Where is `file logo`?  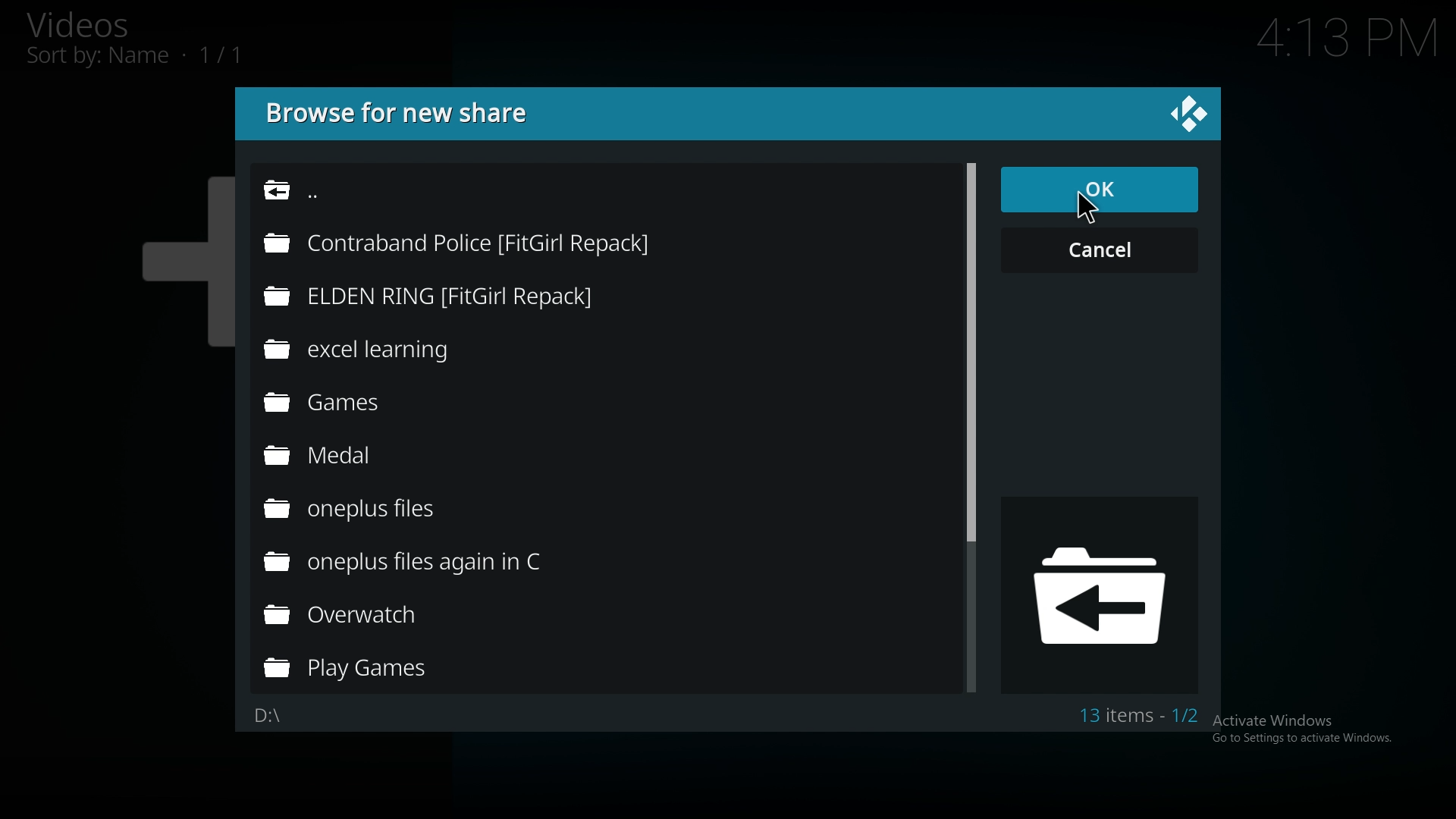 file logo is located at coordinates (1103, 594).